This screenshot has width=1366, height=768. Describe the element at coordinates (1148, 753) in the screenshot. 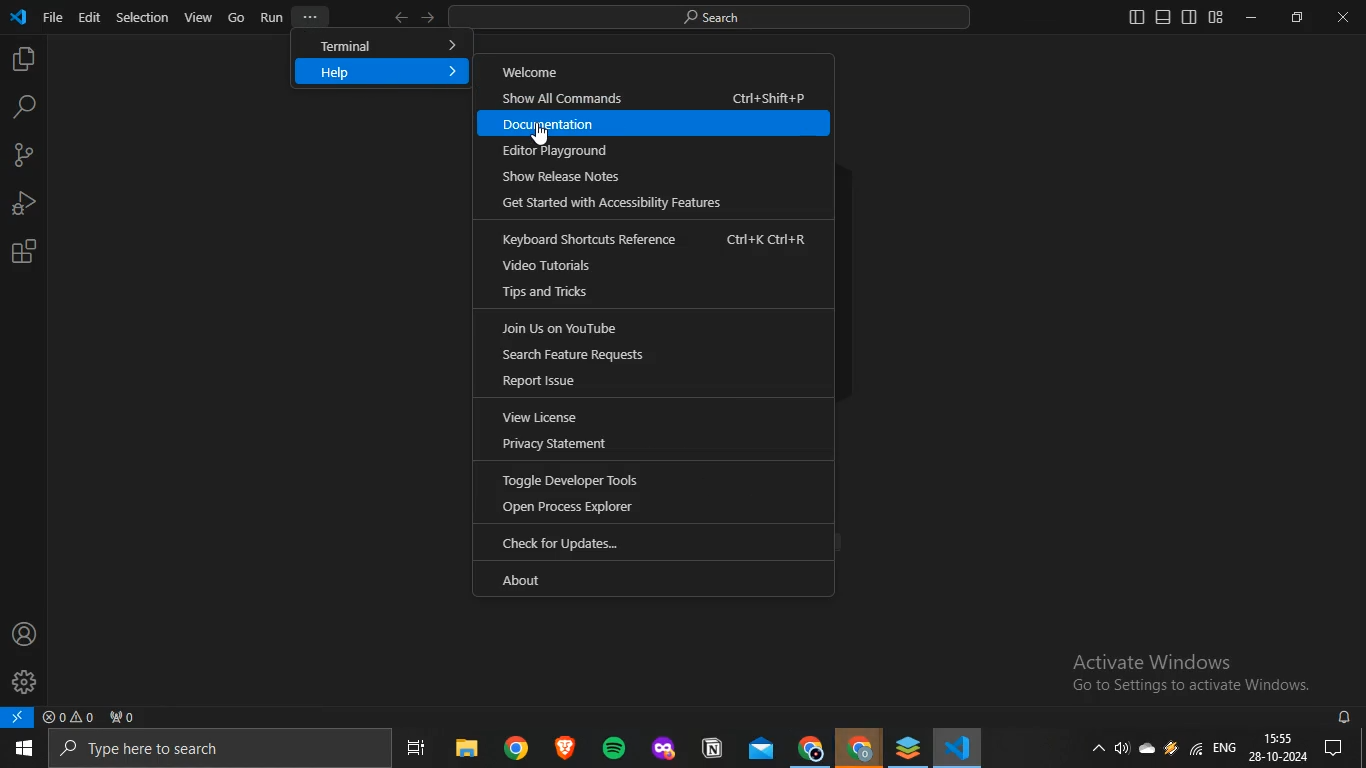

I see `onedrive` at that location.